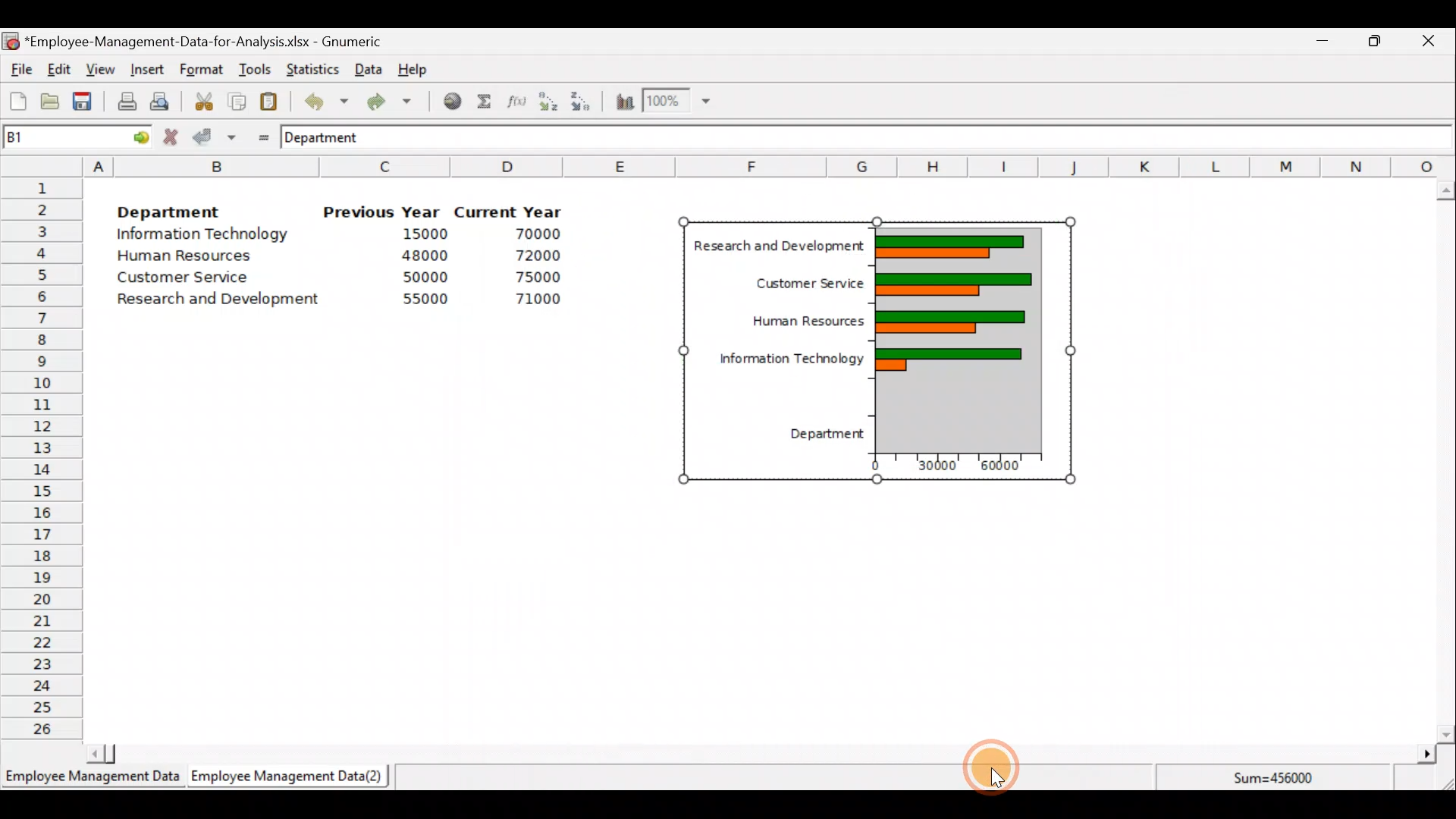 The width and height of the screenshot is (1456, 819). What do you see at coordinates (548, 101) in the screenshot?
I see `Sort in Ascending order` at bounding box center [548, 101].